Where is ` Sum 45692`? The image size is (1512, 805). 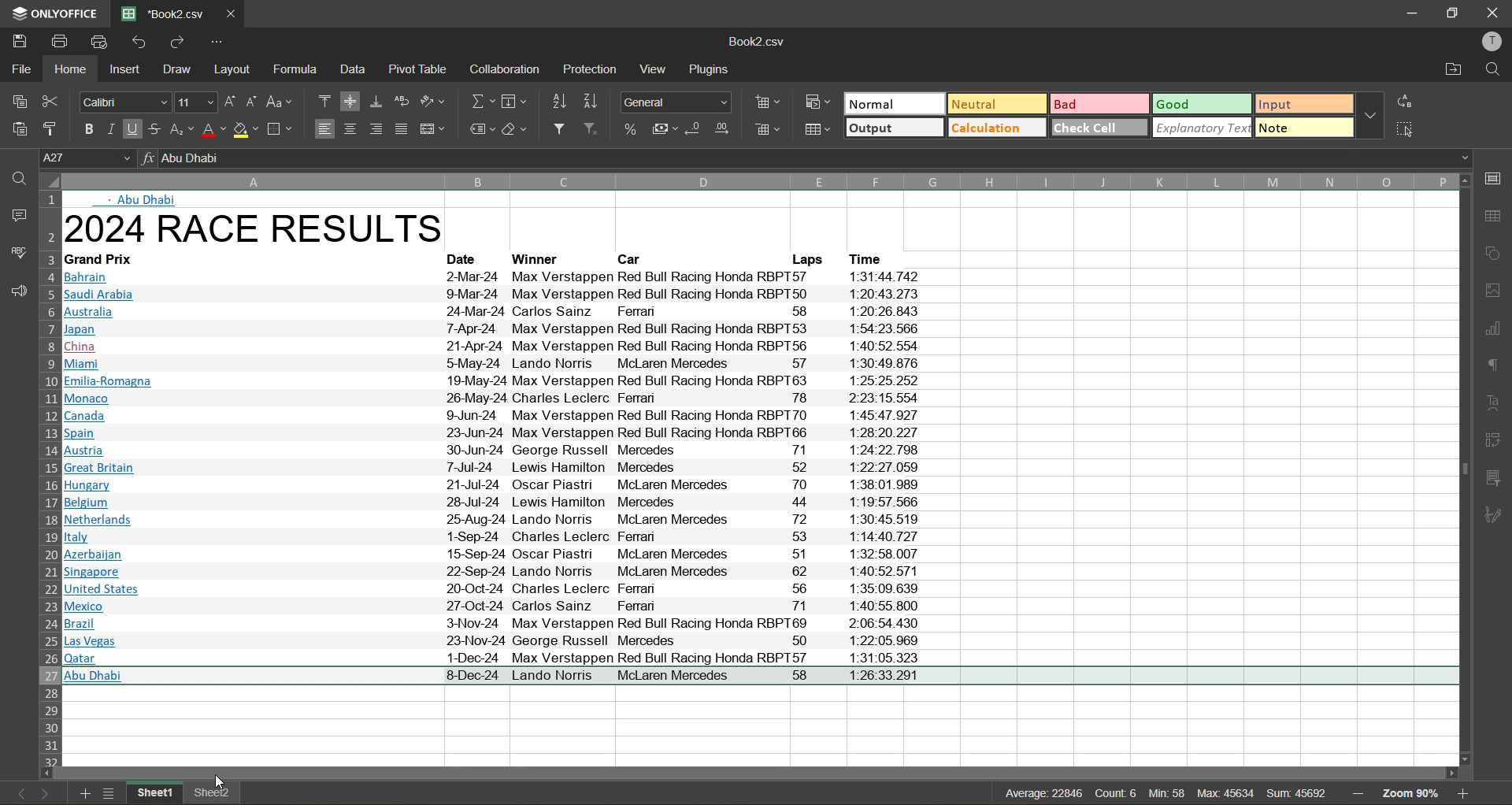
 Sum 45692 is located at coordinates (1299, 791).